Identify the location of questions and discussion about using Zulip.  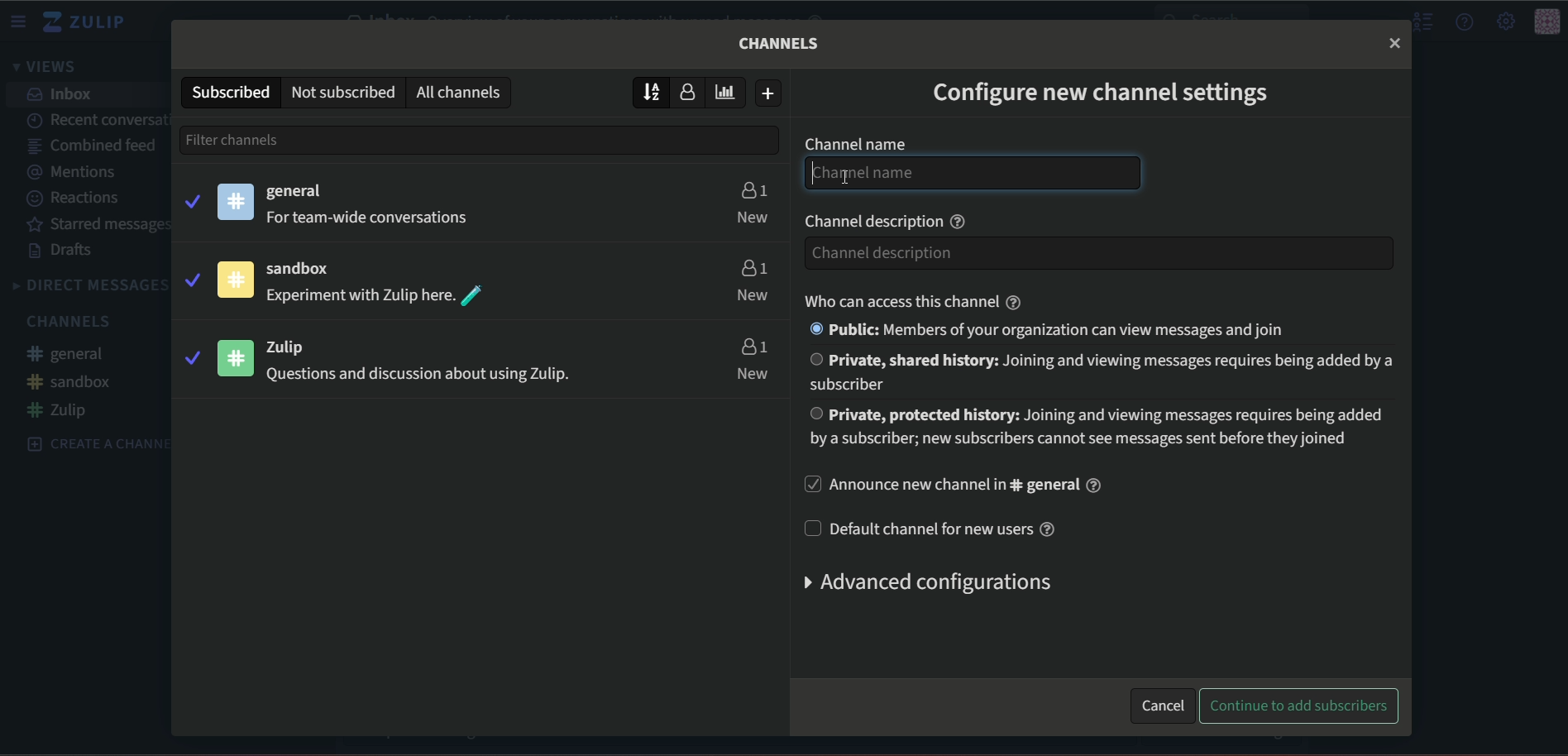
(417, 376).